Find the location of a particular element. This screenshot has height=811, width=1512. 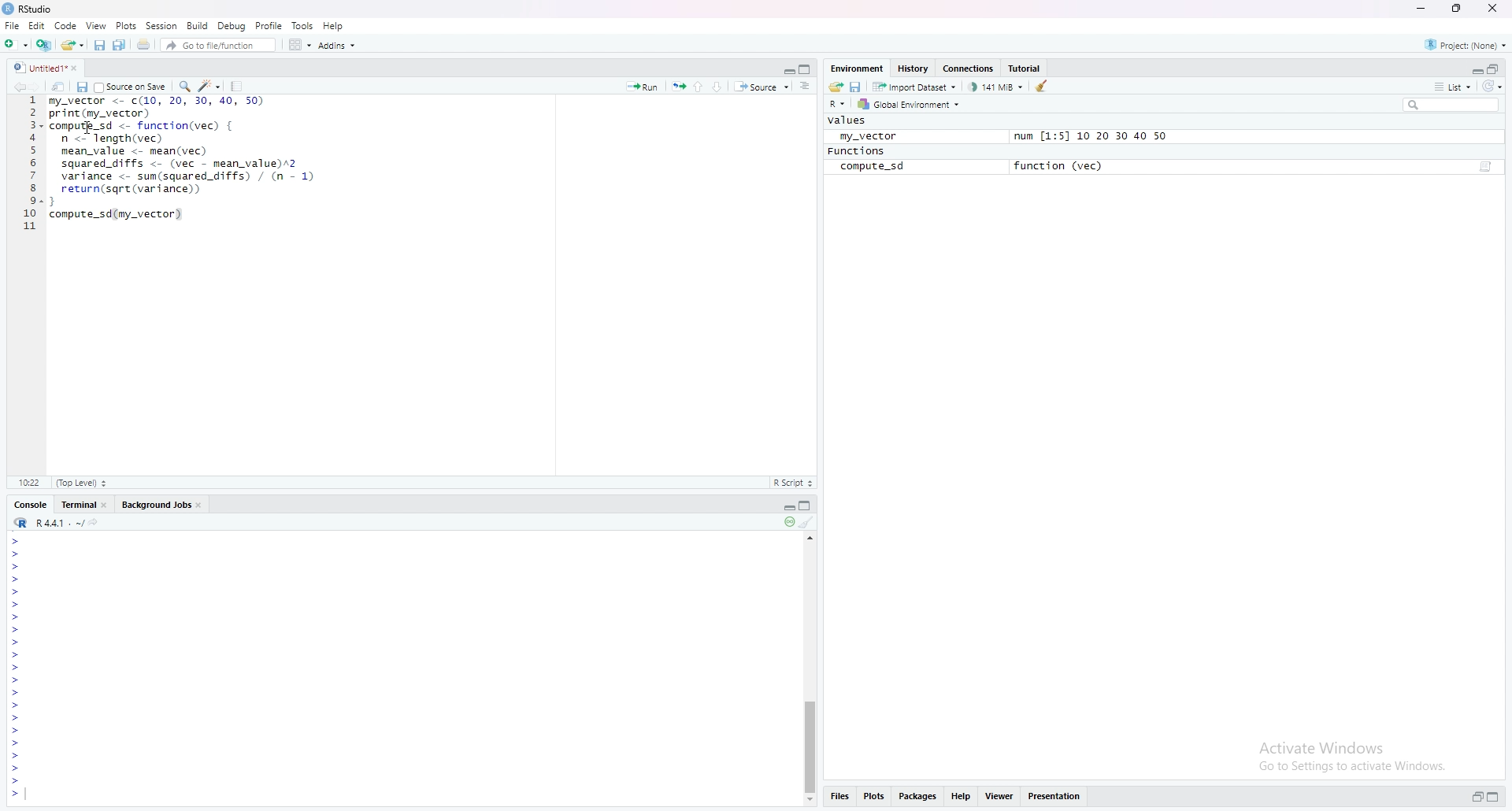

ADDins is located at coordinates (336, 46).